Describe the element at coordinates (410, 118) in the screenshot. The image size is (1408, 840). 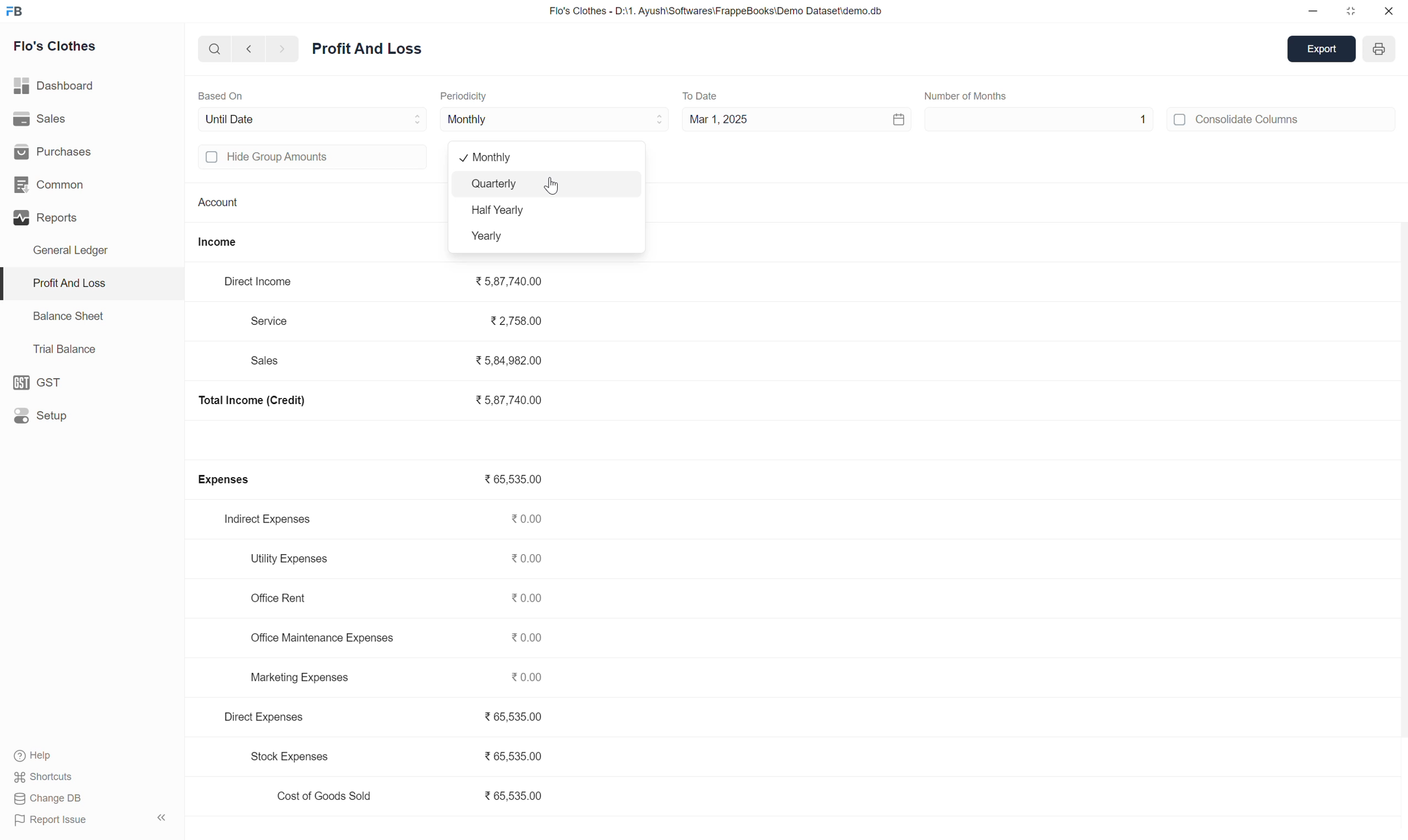
I see `"Based On" dropdown` at that location.